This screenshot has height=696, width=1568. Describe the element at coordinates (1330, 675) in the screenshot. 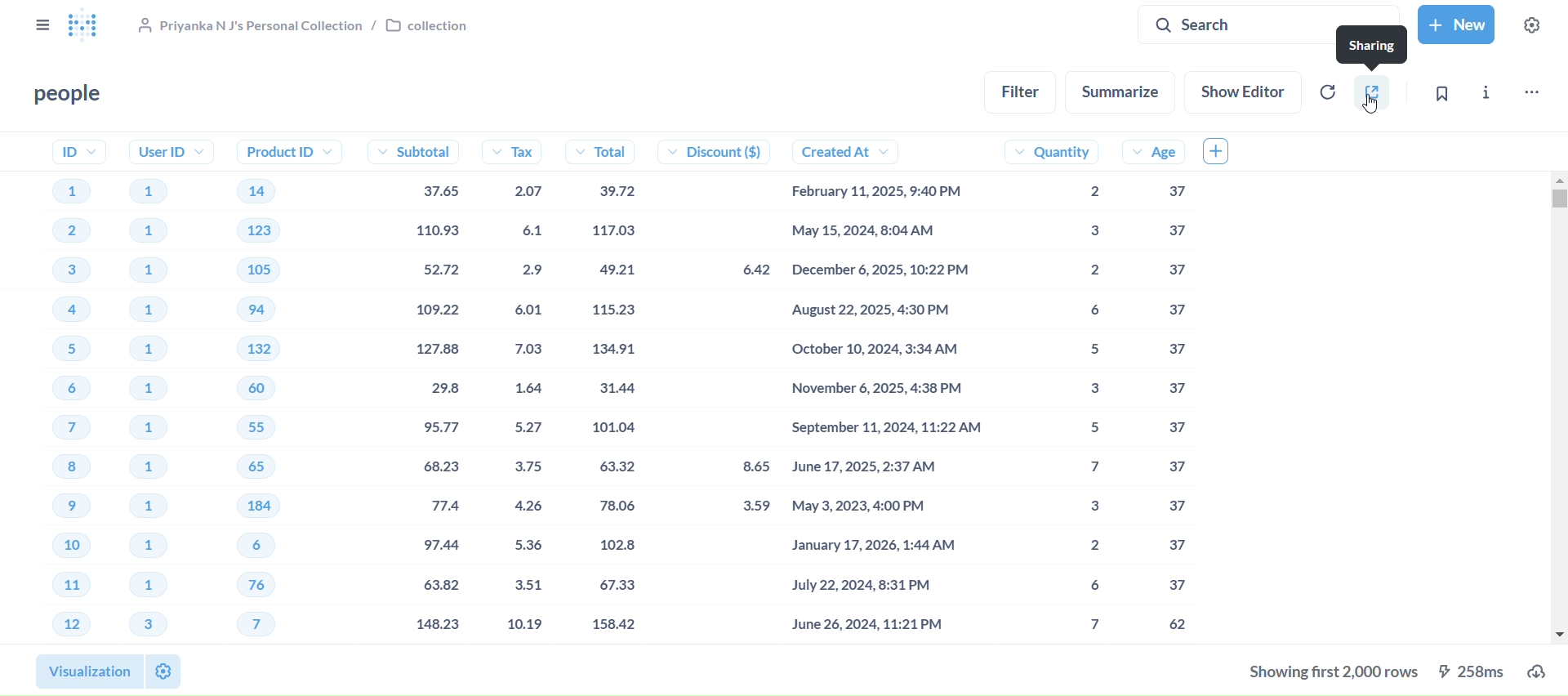

I see `showing first 2000 rows` at that location.